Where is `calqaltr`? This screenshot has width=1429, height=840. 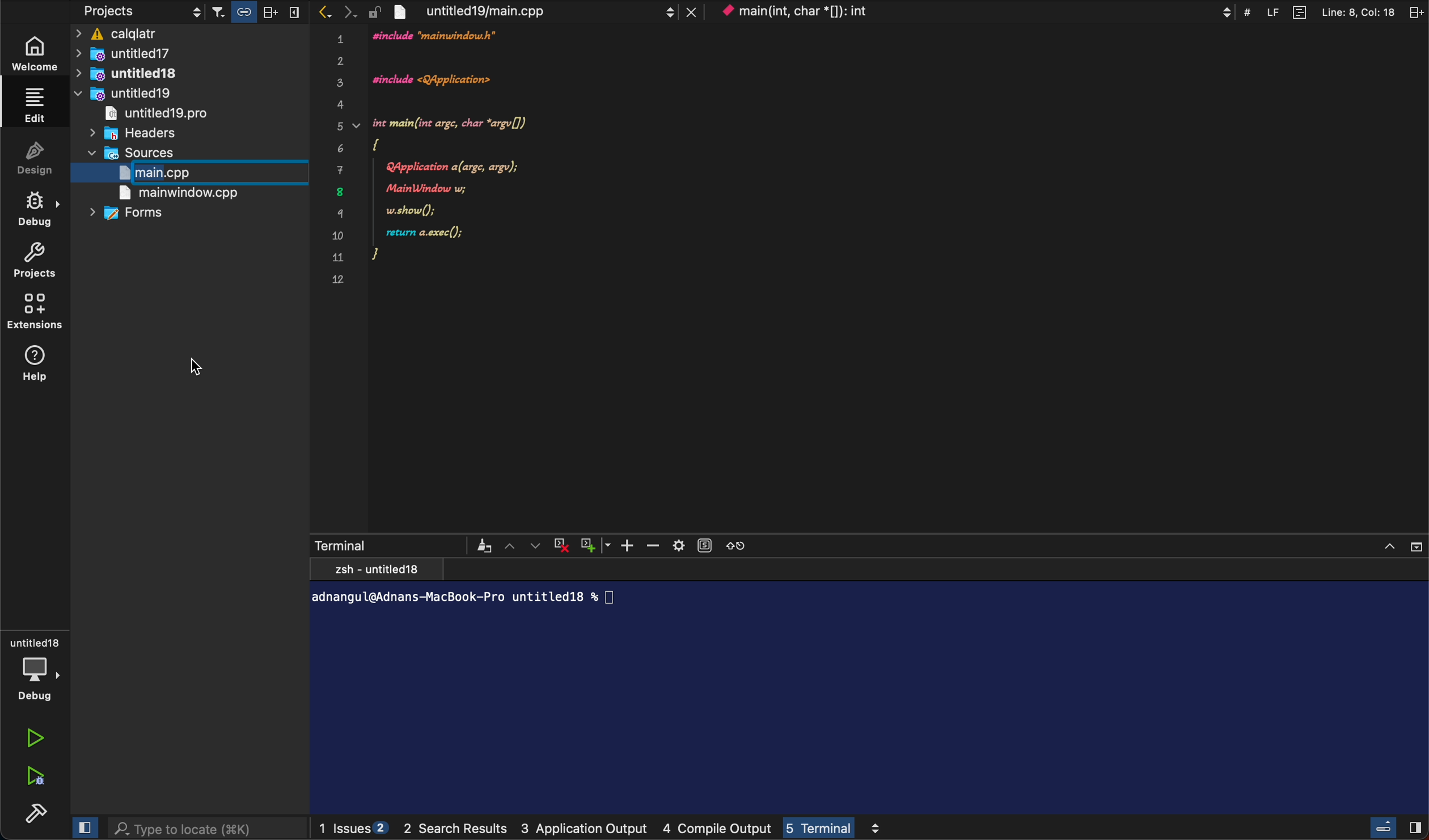
calqaltr is located at coordinates (192, 35).